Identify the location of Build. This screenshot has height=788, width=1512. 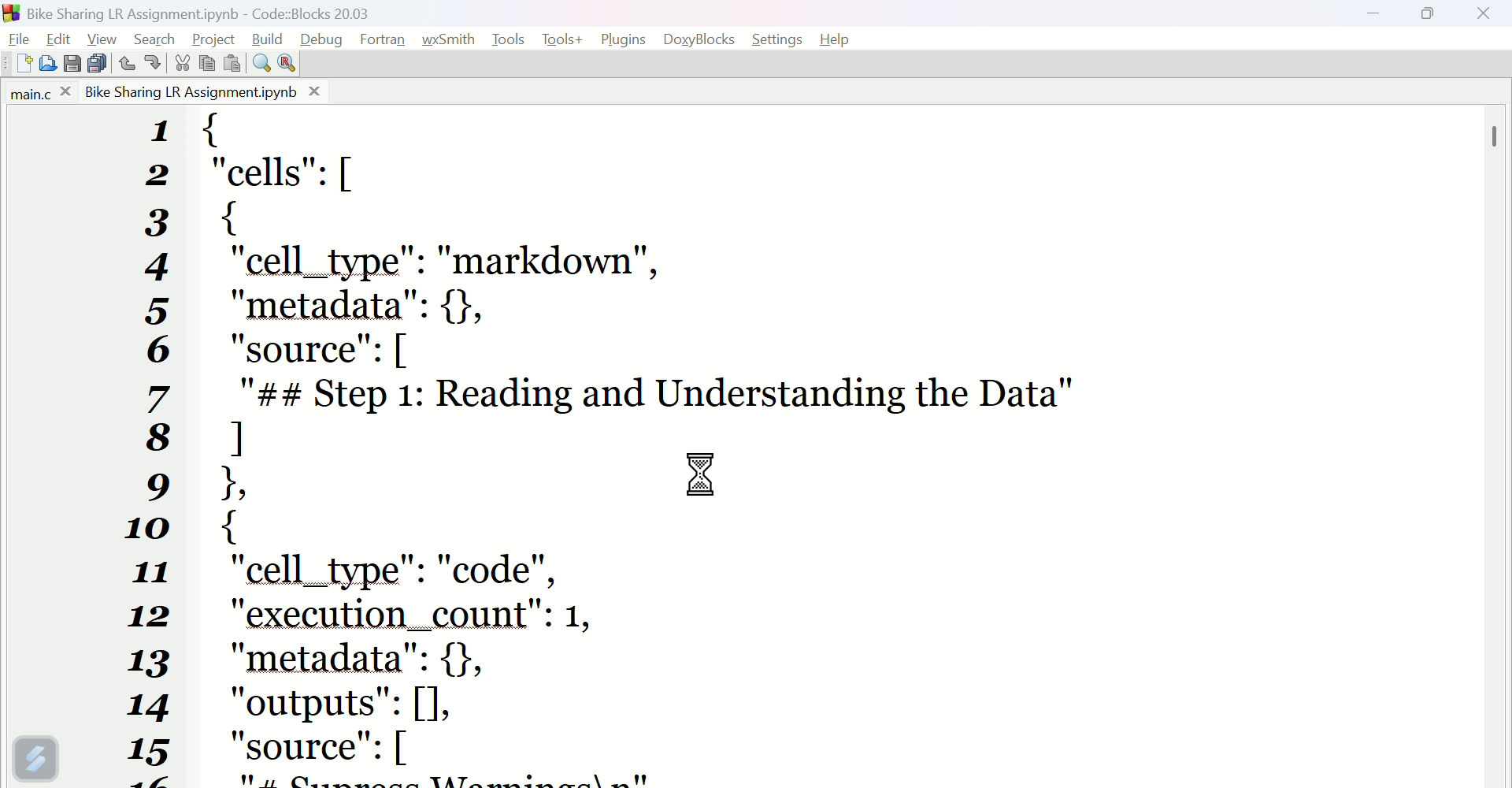
(270, 38).